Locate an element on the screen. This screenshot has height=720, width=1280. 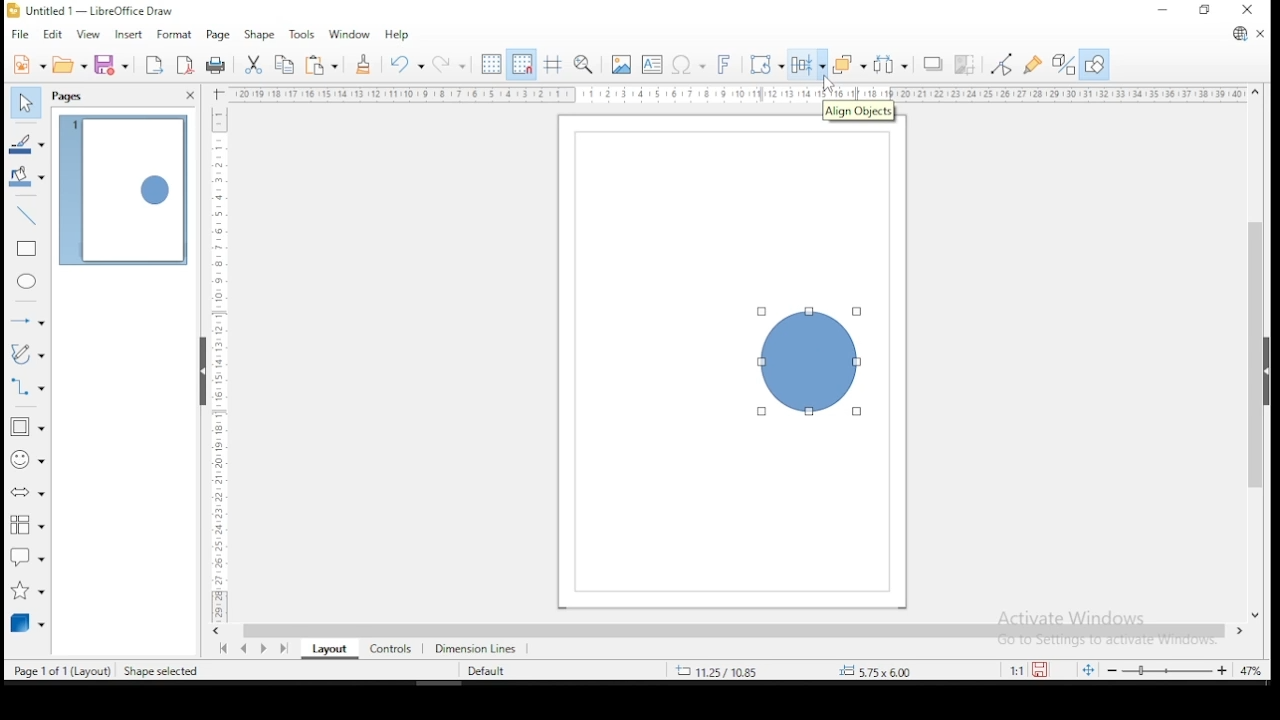
close document is located at coordinates (1260, 32).